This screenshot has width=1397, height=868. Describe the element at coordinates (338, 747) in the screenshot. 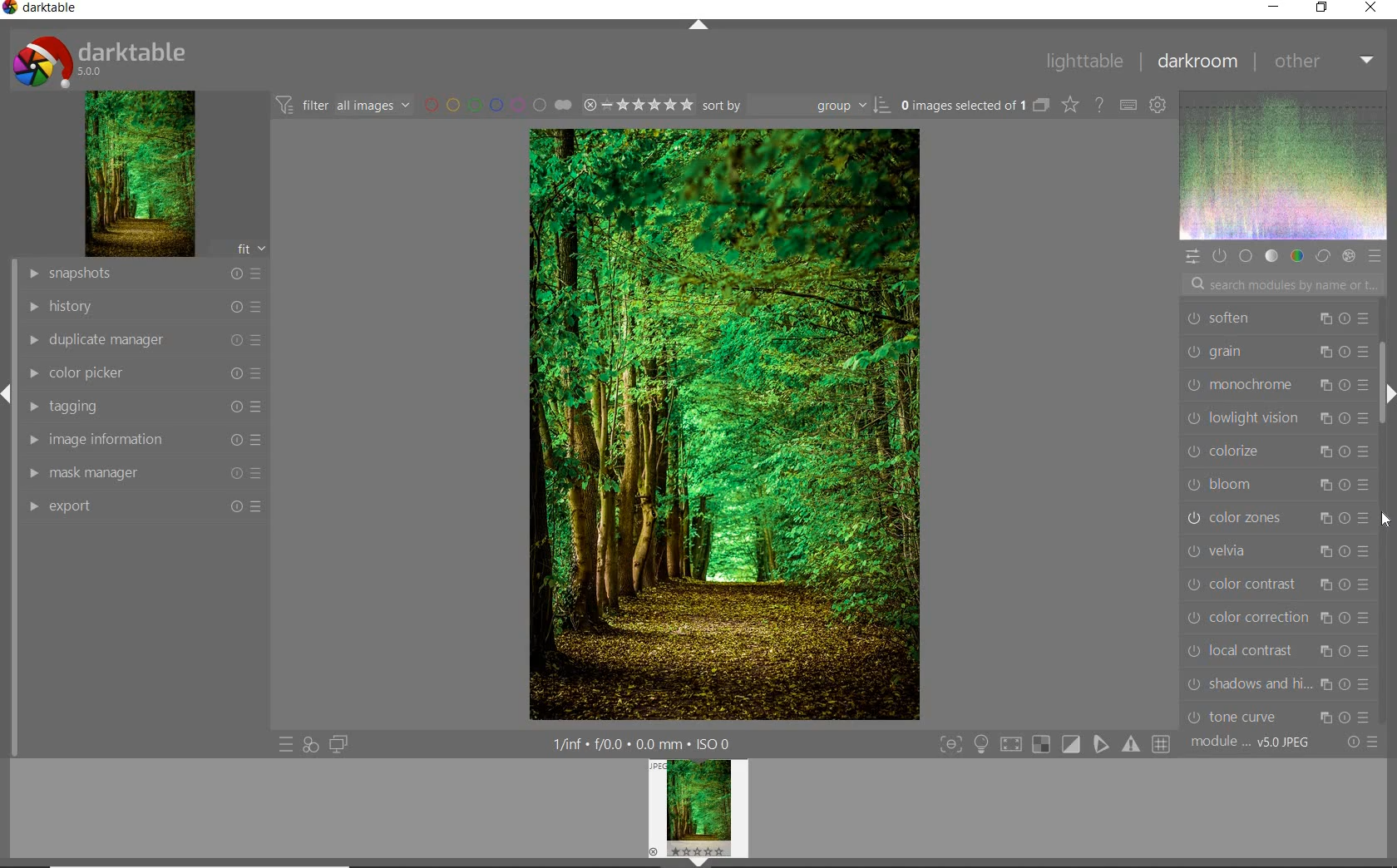

I see `DISPLAY A SECOND DARKROOM IMAGE WINDOW` at that location.